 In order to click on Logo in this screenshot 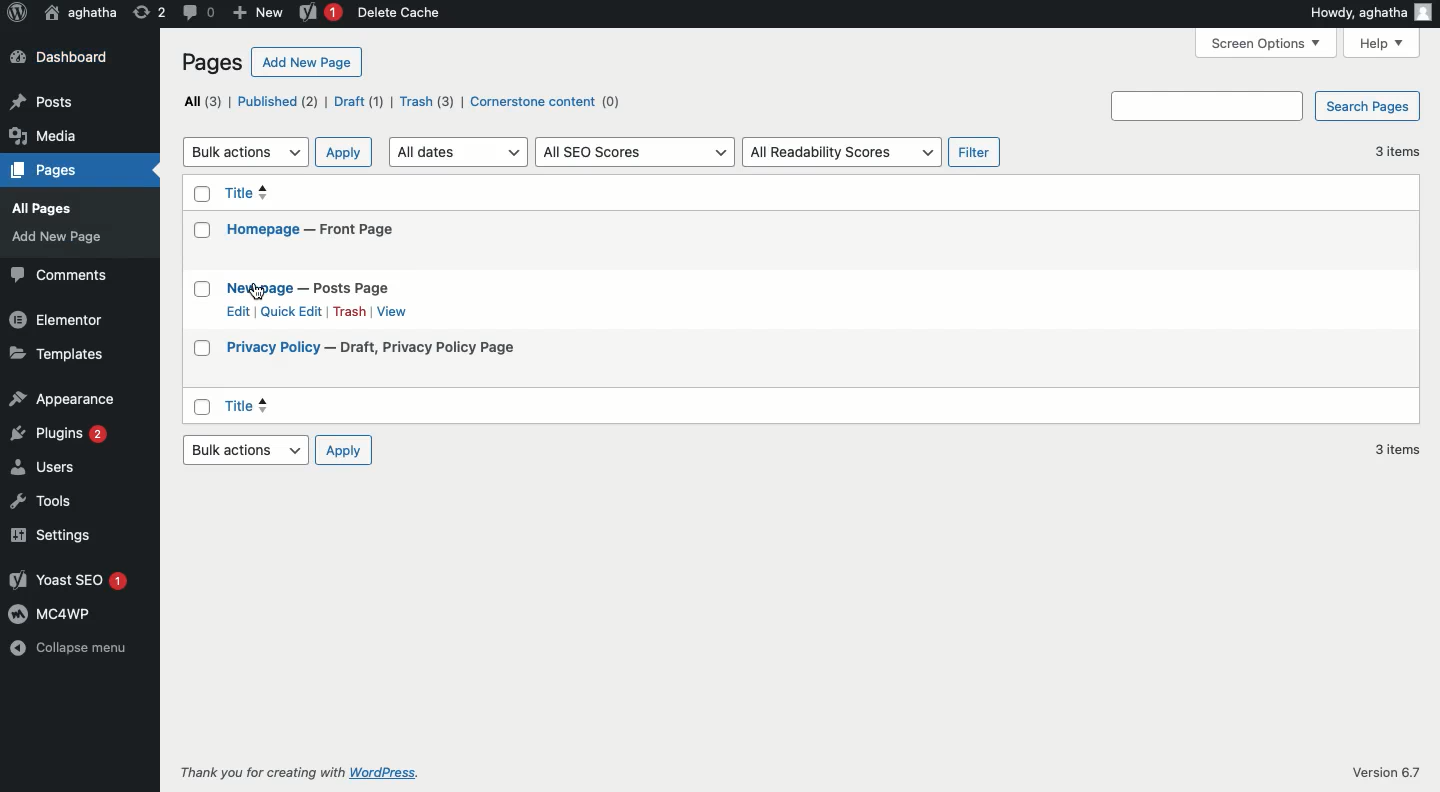, I will do `click(17, 13)`.